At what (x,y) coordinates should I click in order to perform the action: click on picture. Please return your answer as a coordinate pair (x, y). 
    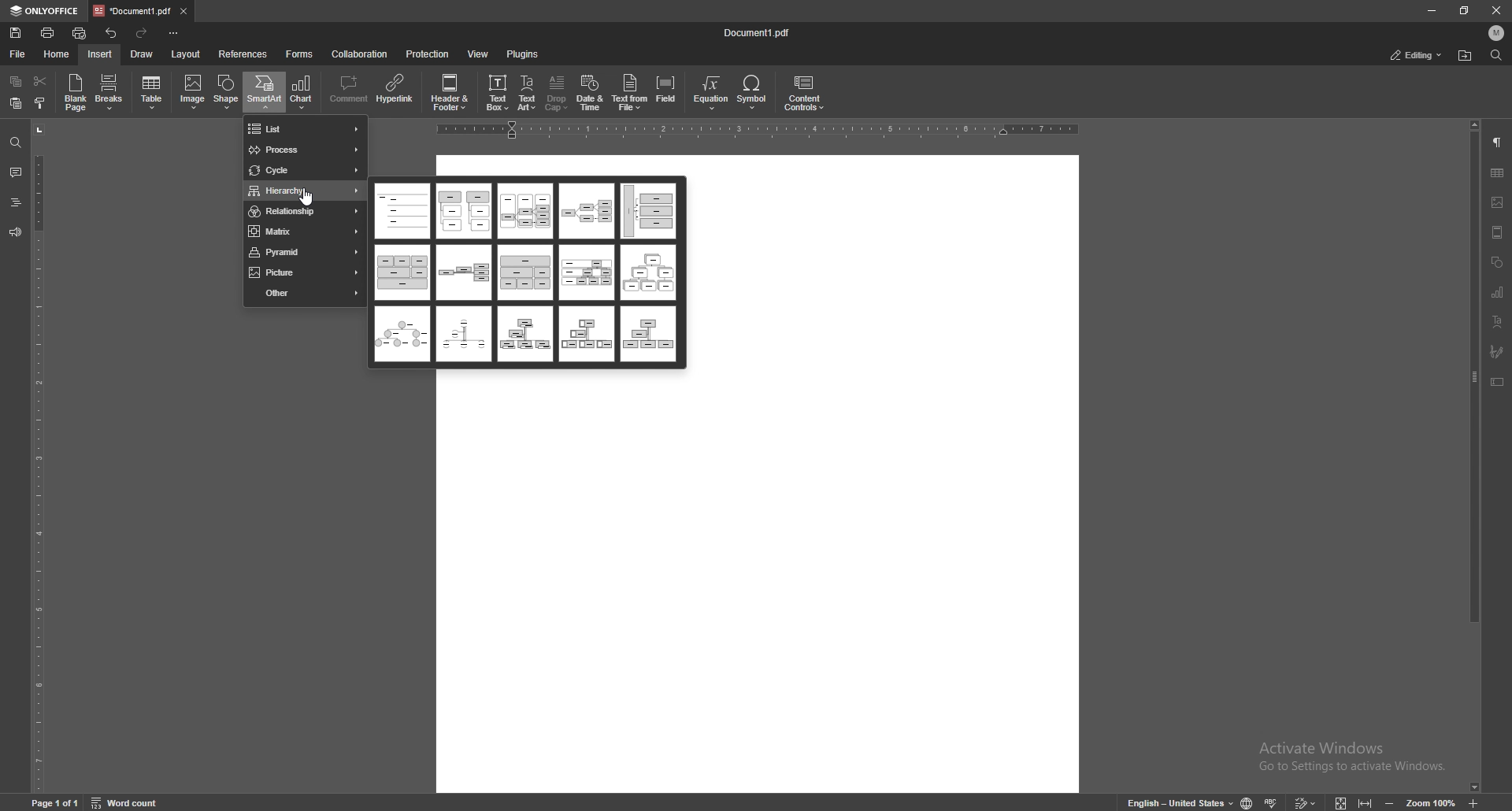
    Looking at the image, I should click on (305, 272).